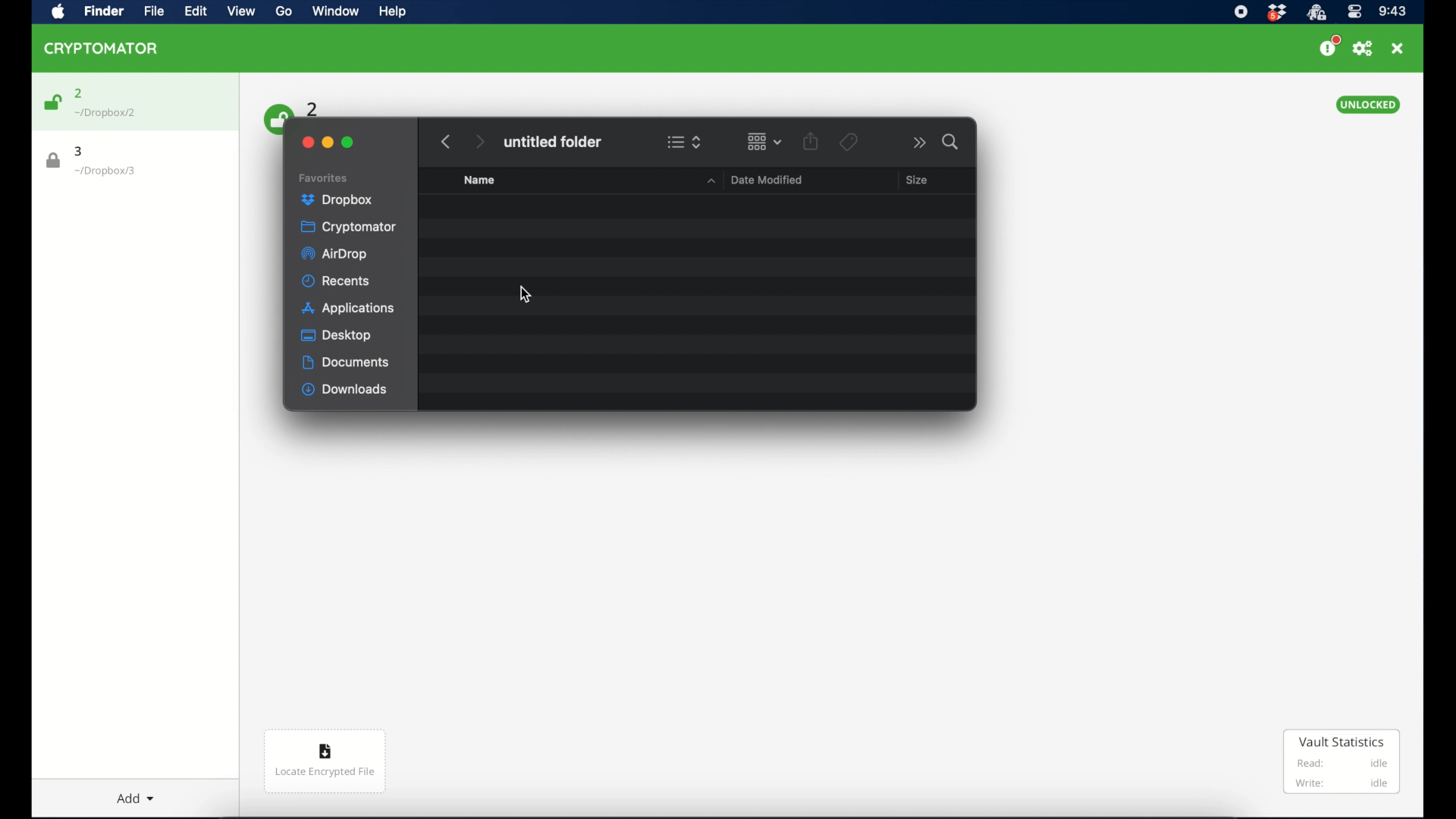 The image size is (1456, 819). What do you see at coordinates (54, 161) in the screenshot?
I see `lock icon` at bounding box center [54, 161].